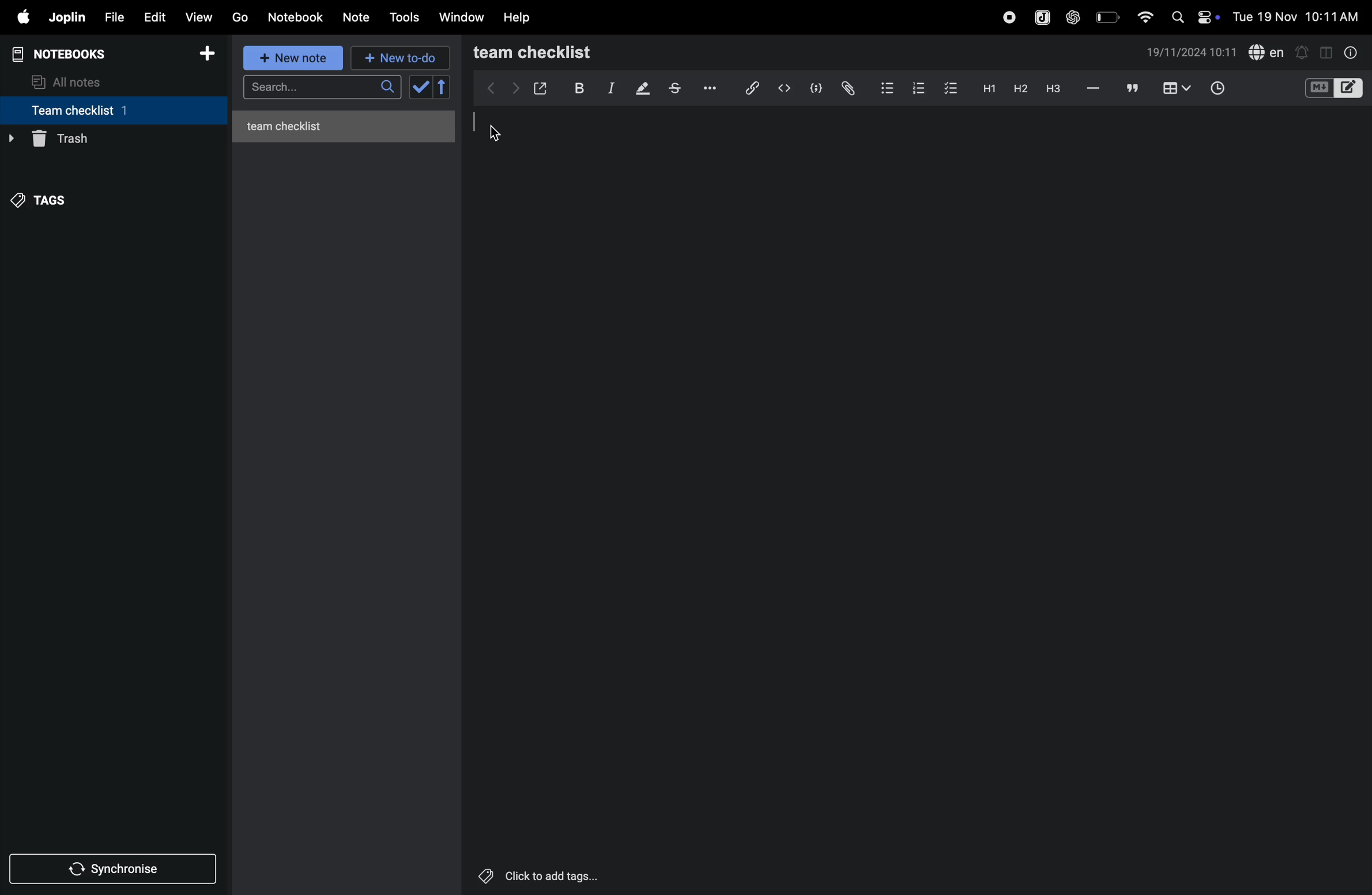 The width and height of the screenshot is (1372, 895). I want to click on heading 3, so click(1053, 88).